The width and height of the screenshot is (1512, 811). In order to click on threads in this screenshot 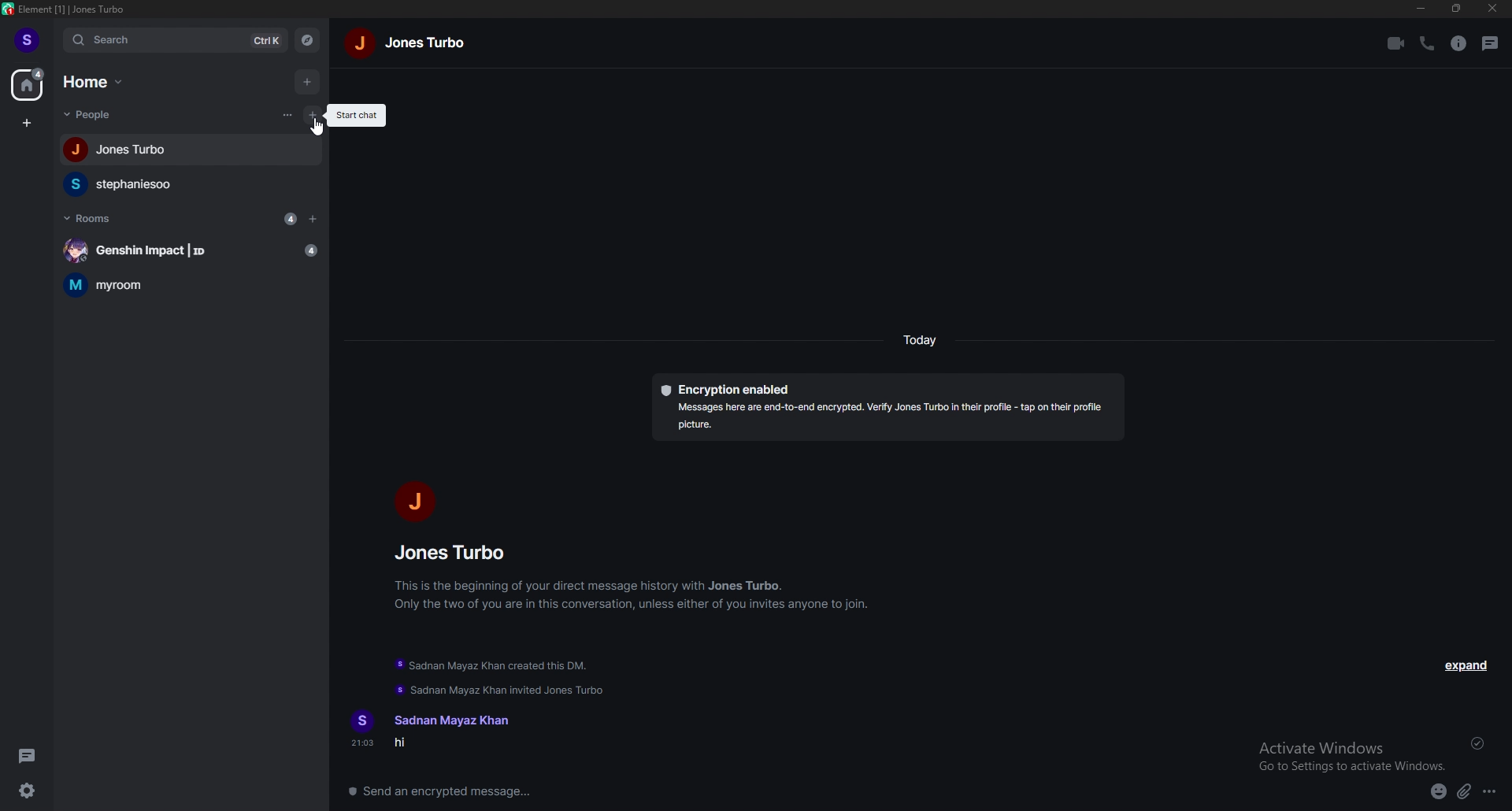, I will do `click(1491, 44)`.